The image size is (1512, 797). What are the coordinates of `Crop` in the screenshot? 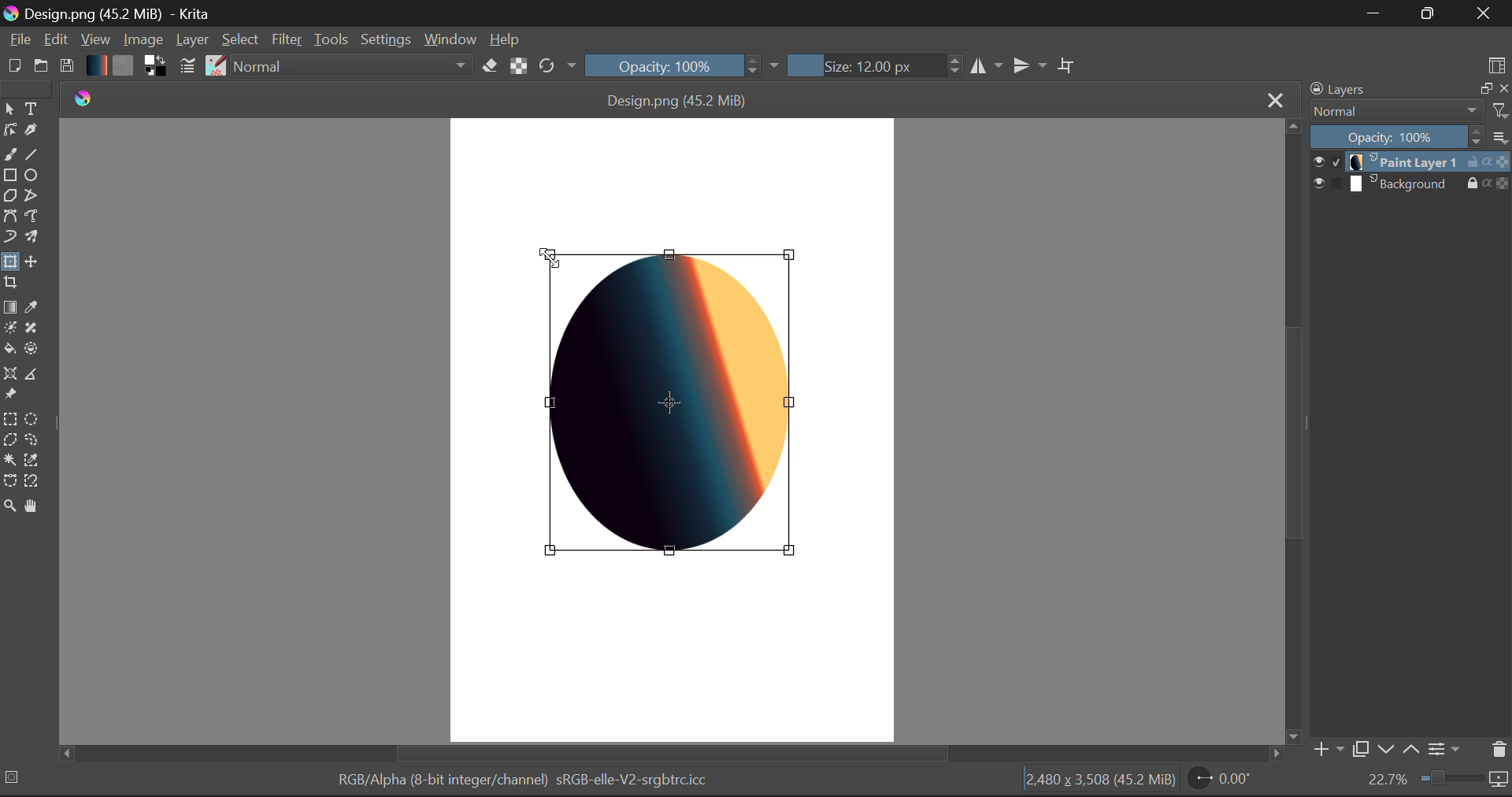 It's located at (10, 285).